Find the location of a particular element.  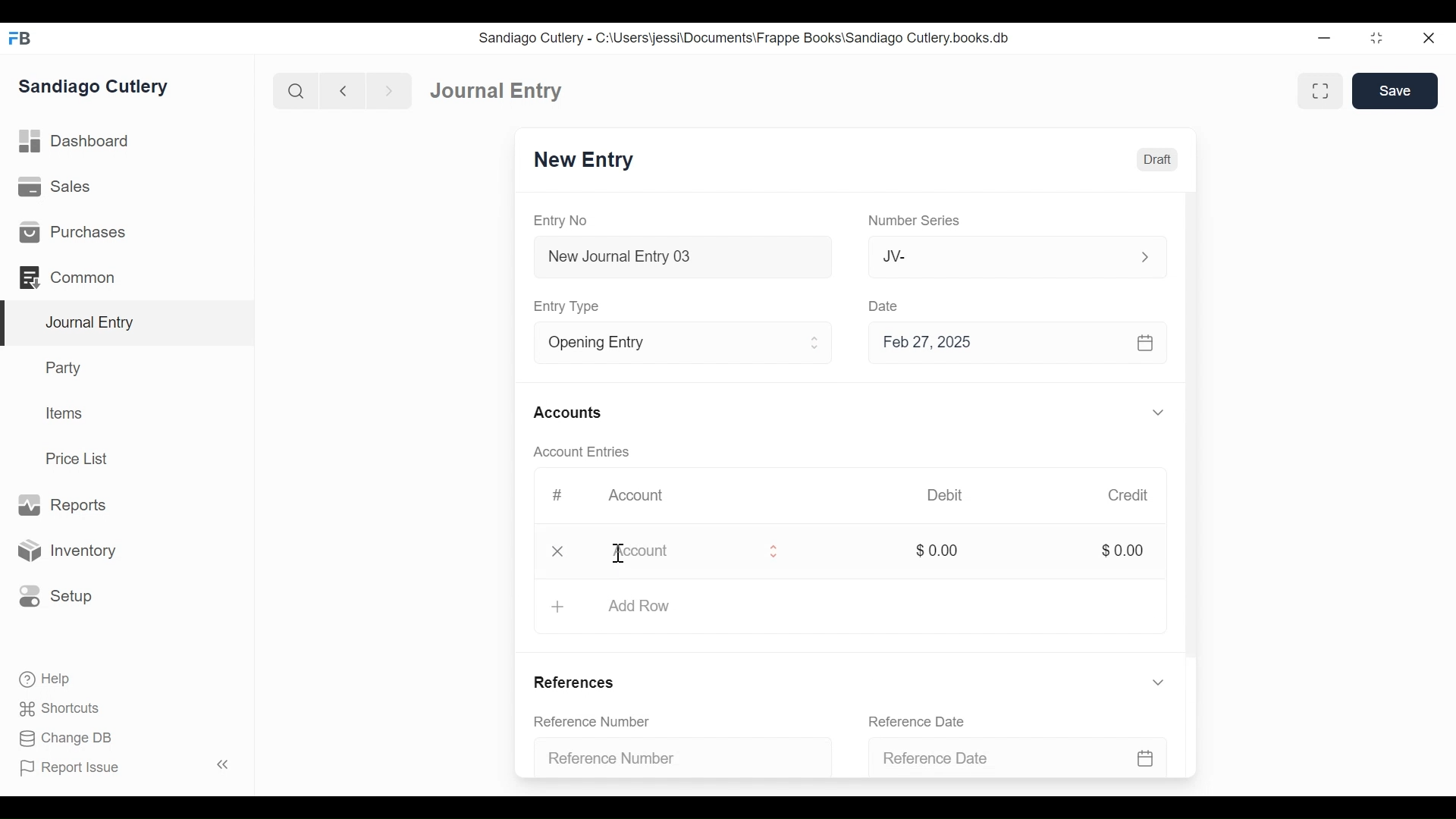

Search is located at coordinates (294, 90).